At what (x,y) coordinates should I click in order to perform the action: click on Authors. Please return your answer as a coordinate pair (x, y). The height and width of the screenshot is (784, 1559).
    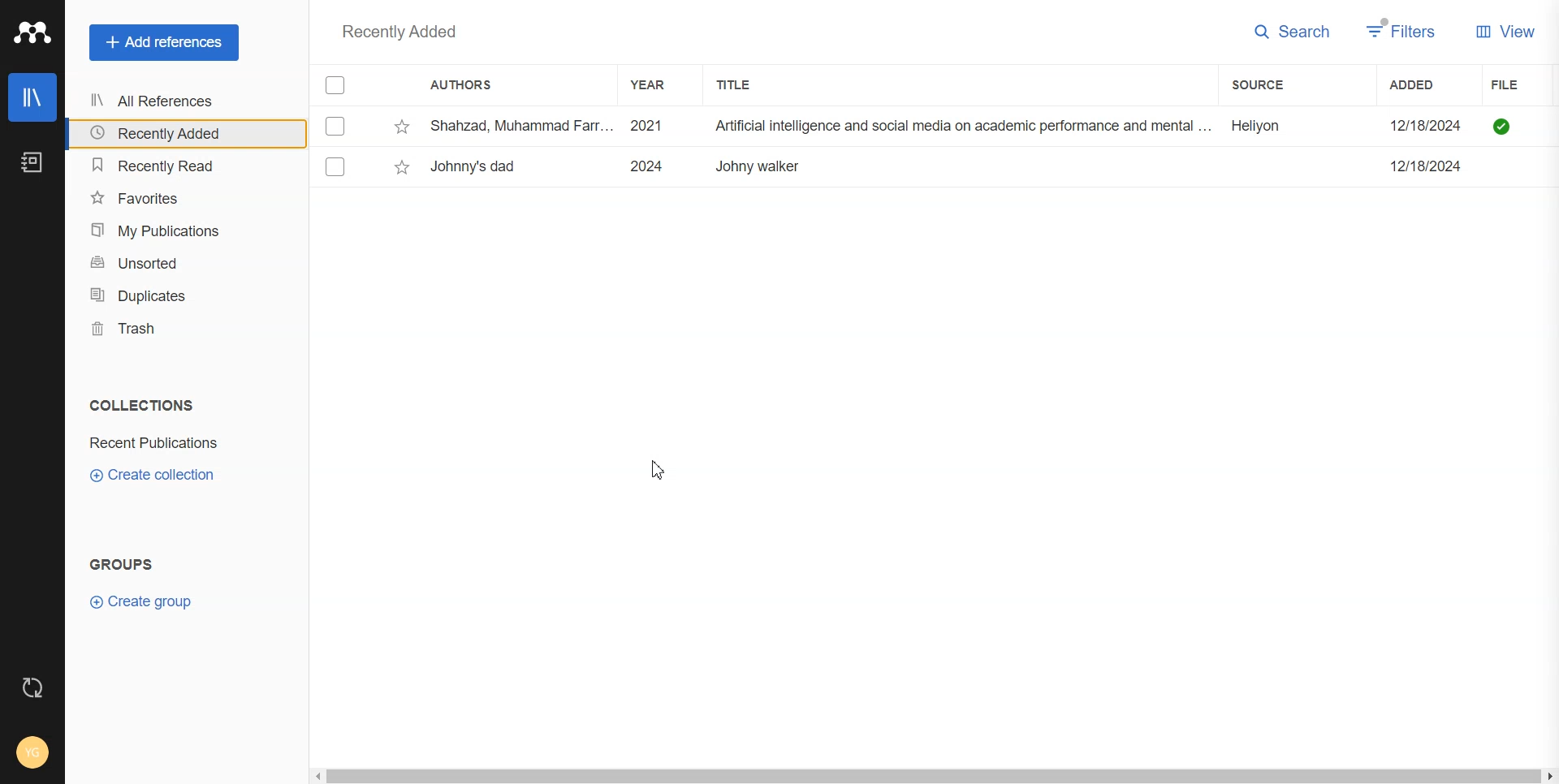
    Looking at the image, I should click on (469, 86).